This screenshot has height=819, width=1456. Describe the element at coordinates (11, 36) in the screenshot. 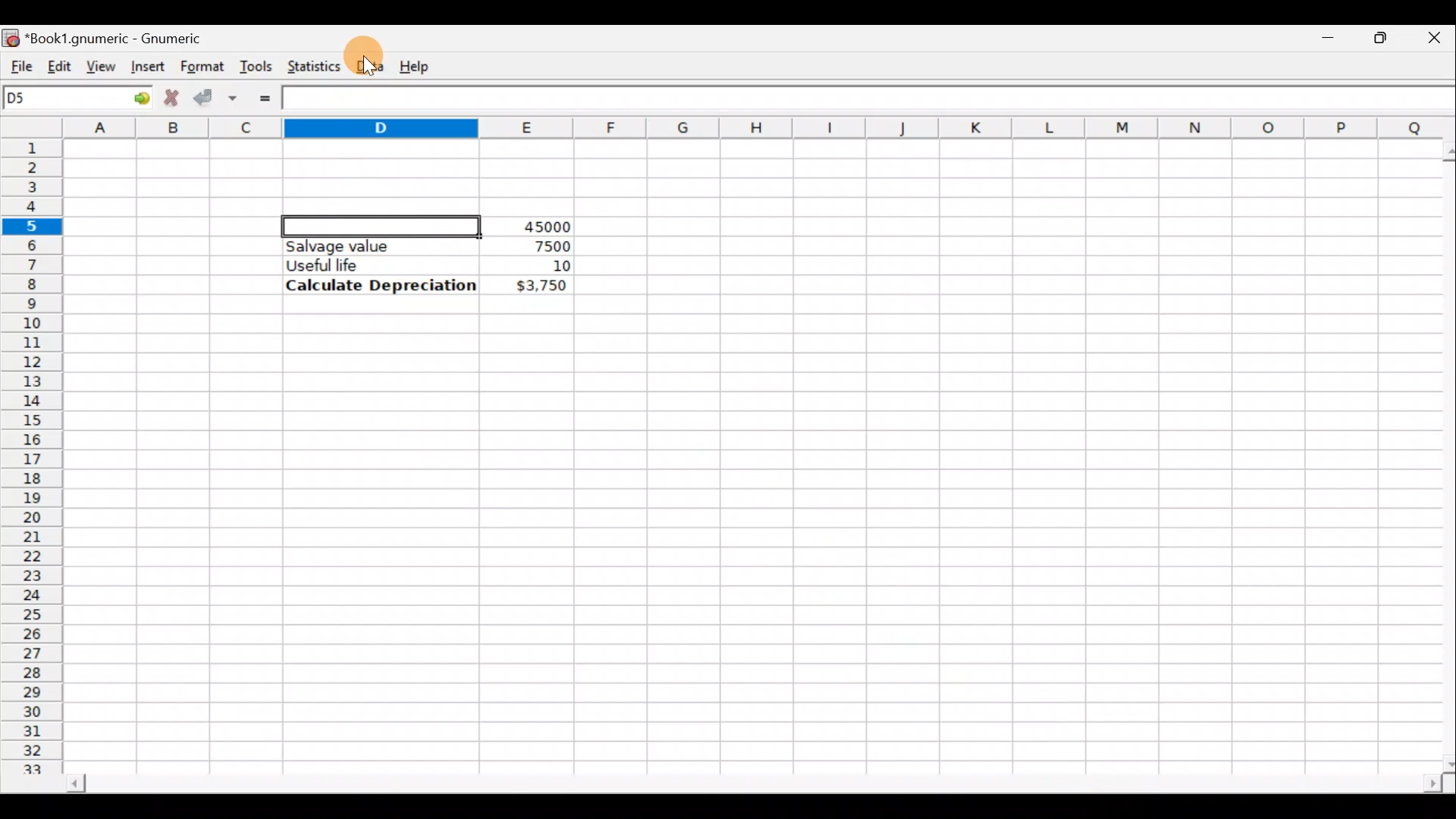

I see `Gnumeric logo` at that location.